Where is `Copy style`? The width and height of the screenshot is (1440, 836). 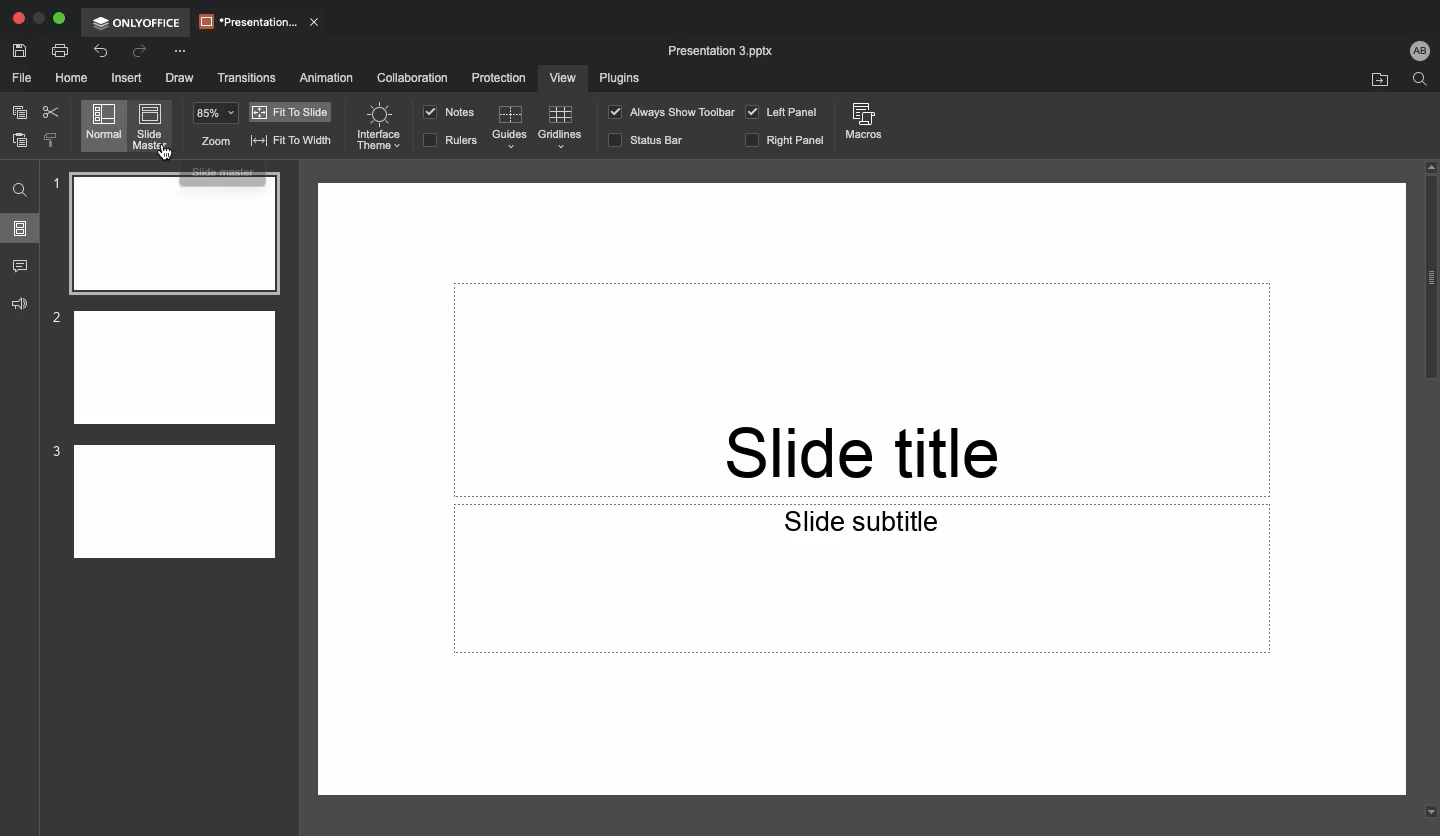
Copy style is located at coordinates (50, 142).